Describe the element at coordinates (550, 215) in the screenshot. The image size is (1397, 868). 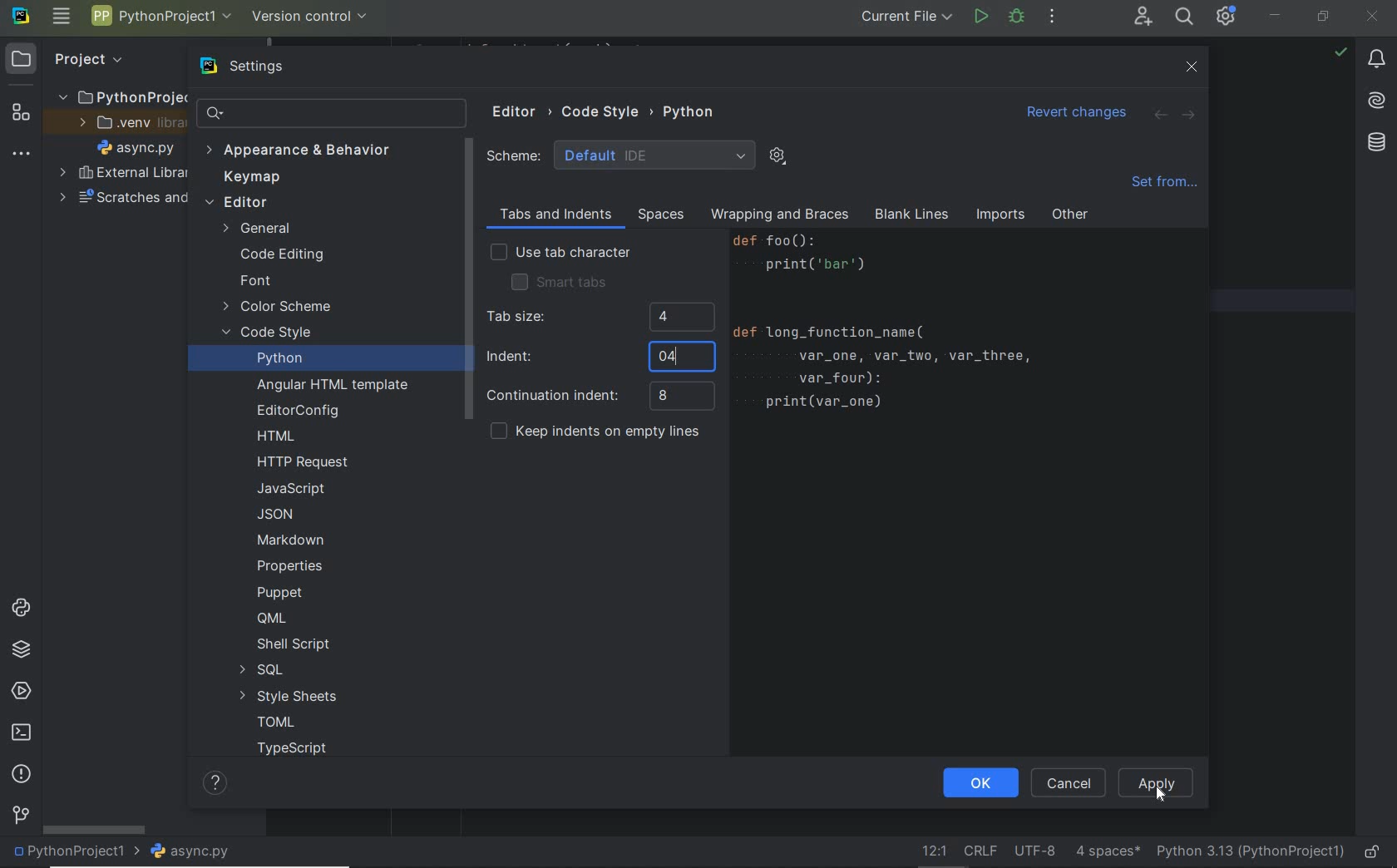
I see `Tabs and Indents` at that location.